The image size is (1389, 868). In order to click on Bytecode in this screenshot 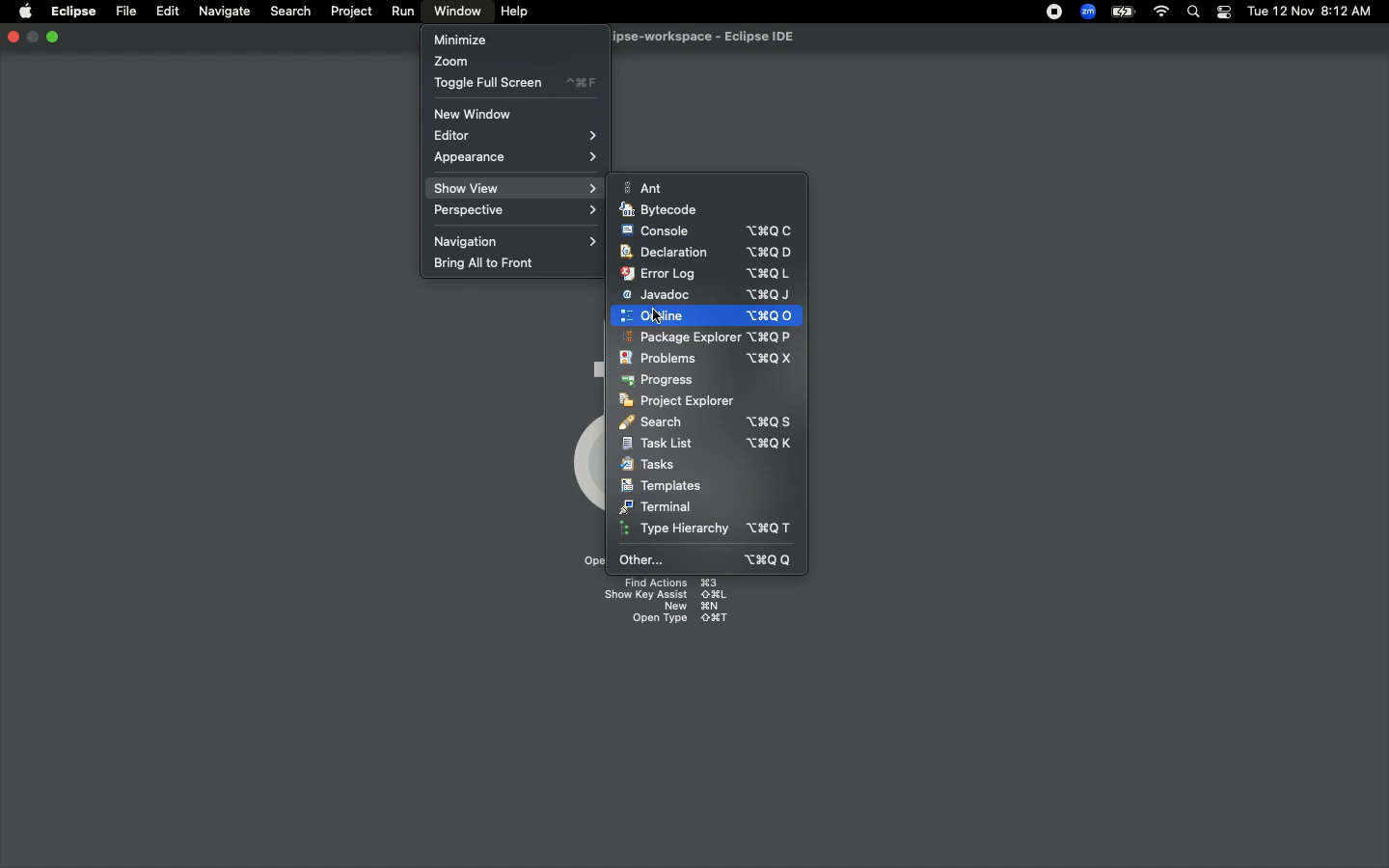, I will do `click(664, 207)`.